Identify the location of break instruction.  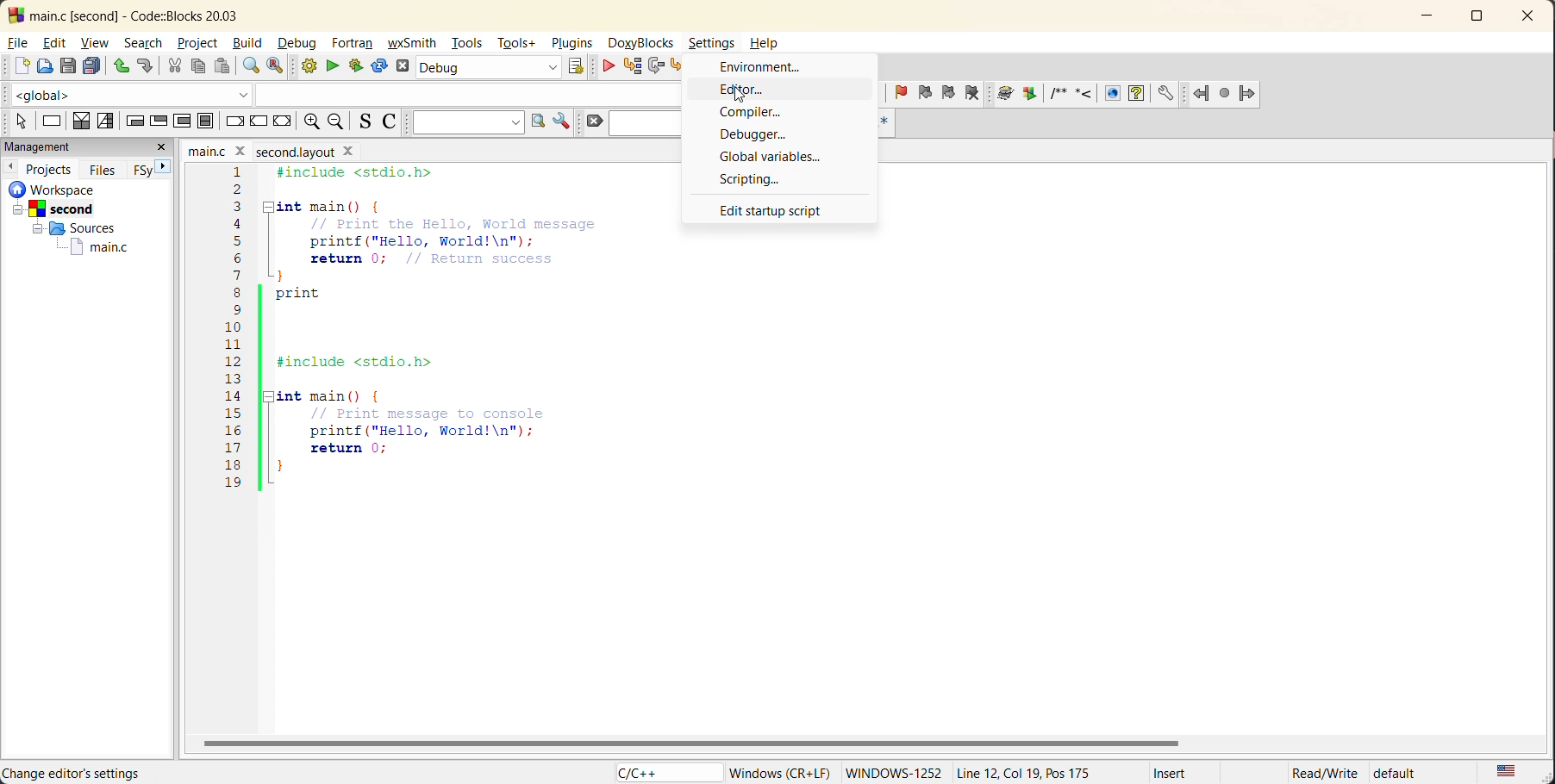
(236, 121).